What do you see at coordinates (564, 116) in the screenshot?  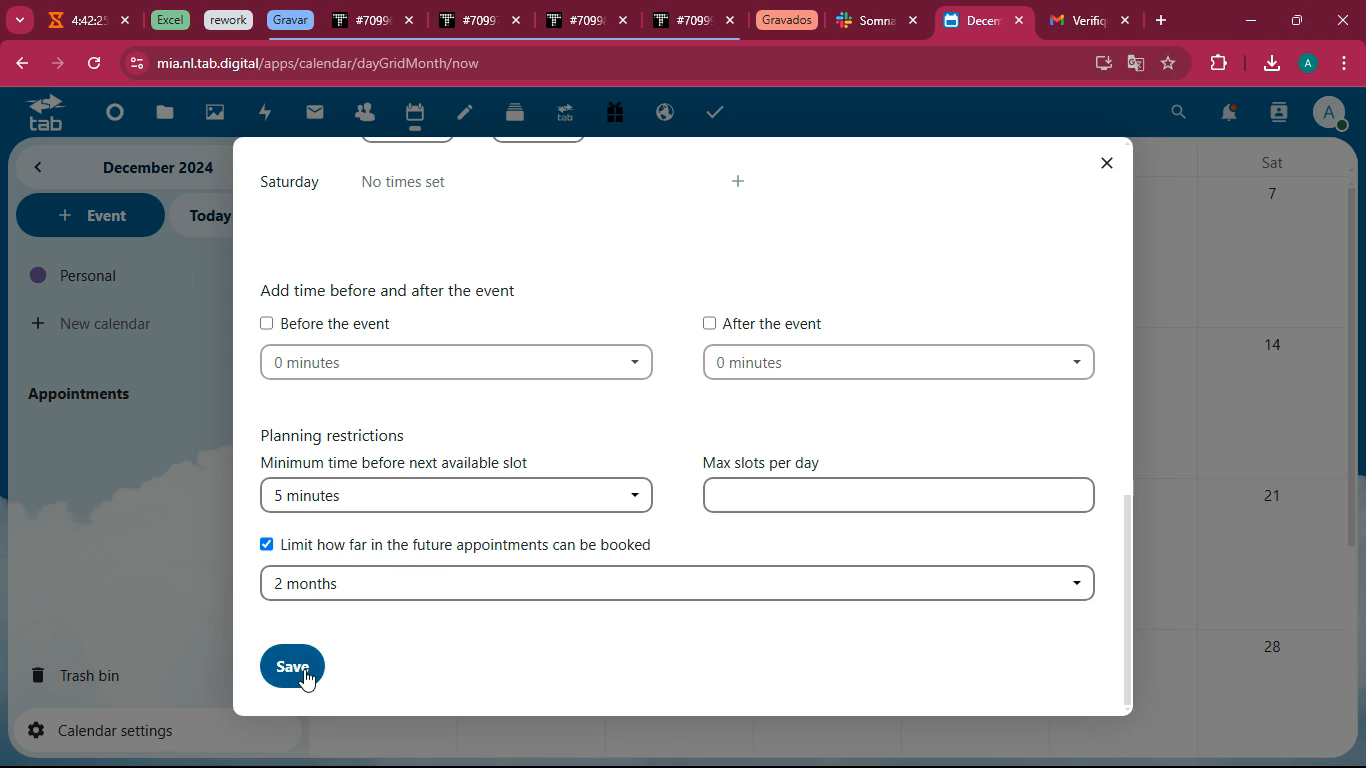 I see `tab` at bounding box center [564, 116].